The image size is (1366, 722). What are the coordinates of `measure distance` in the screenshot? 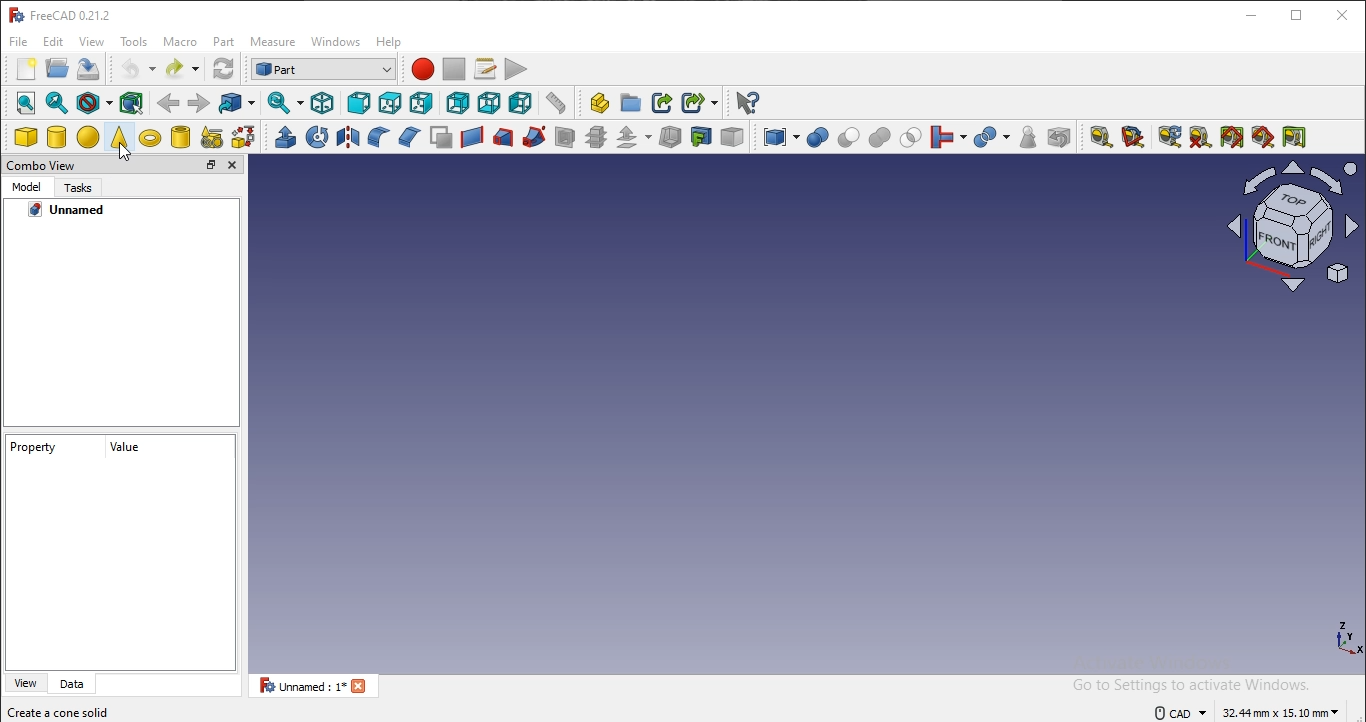 It's located at (556, 102).